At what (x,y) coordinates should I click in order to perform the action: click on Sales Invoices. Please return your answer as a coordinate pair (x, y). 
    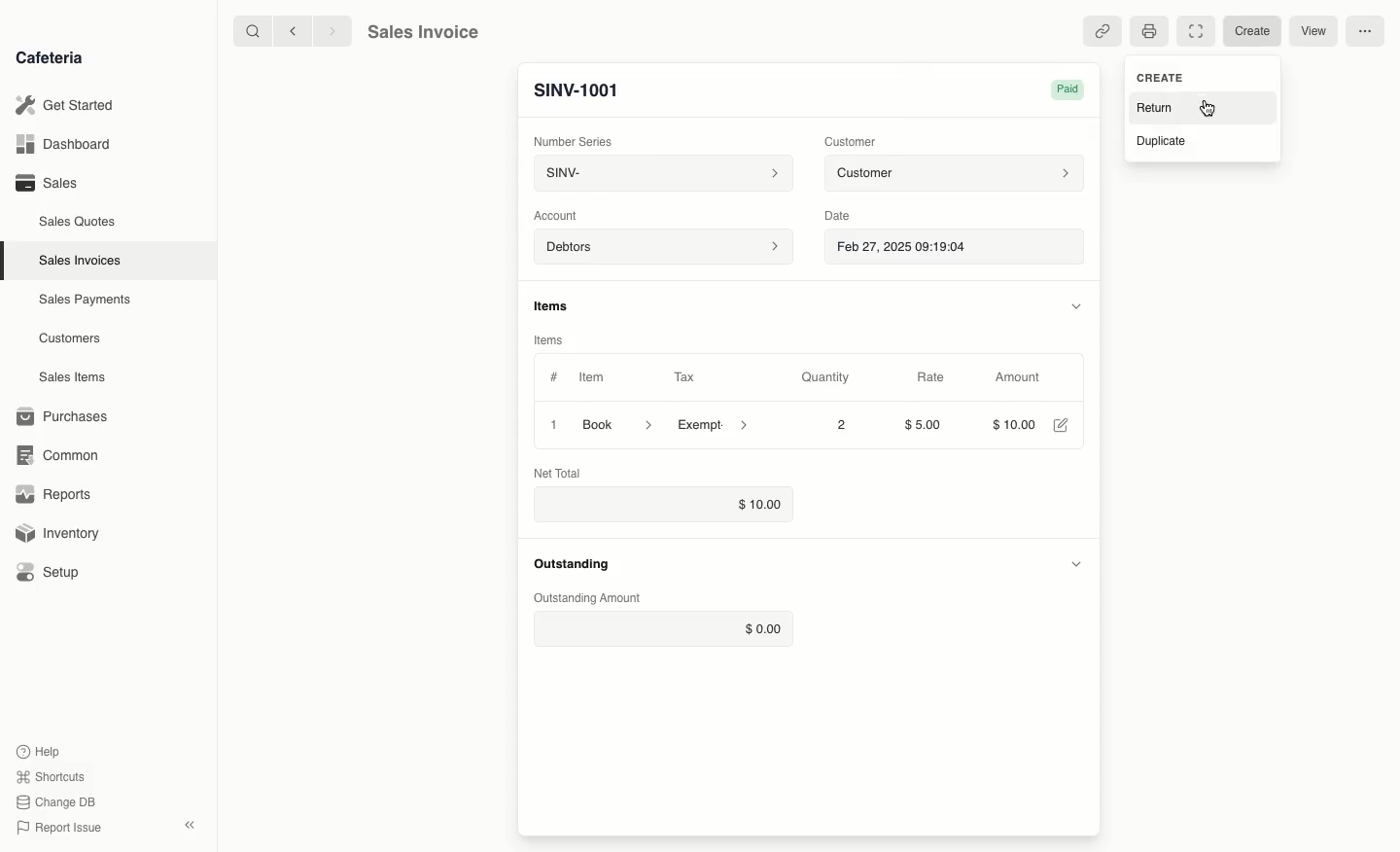
    Looking at the image, I should click on (80, 262).